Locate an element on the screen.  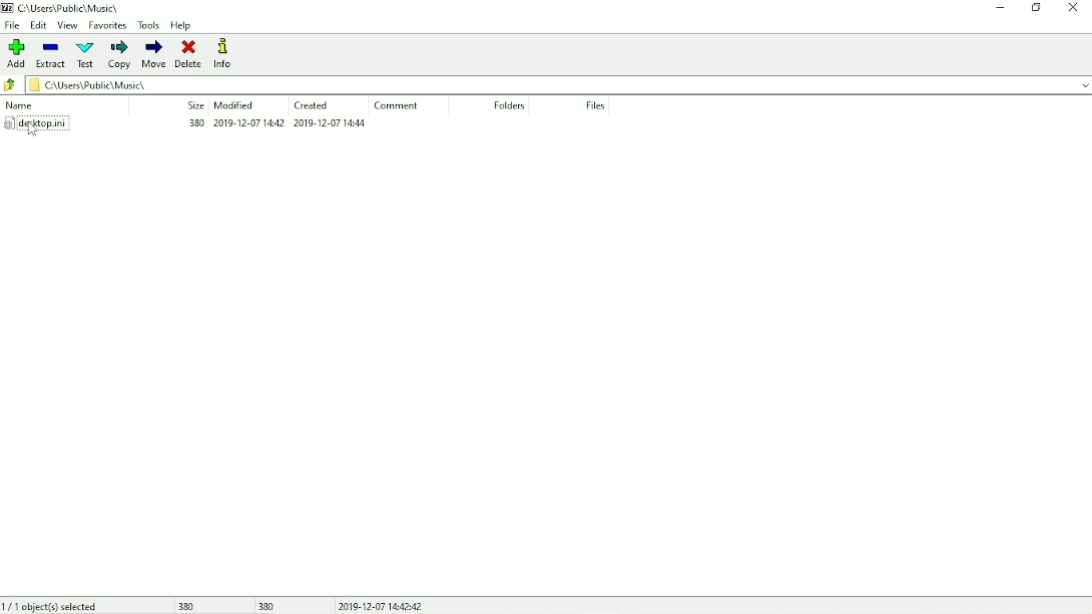
Help is located at coordinates (182, 25).